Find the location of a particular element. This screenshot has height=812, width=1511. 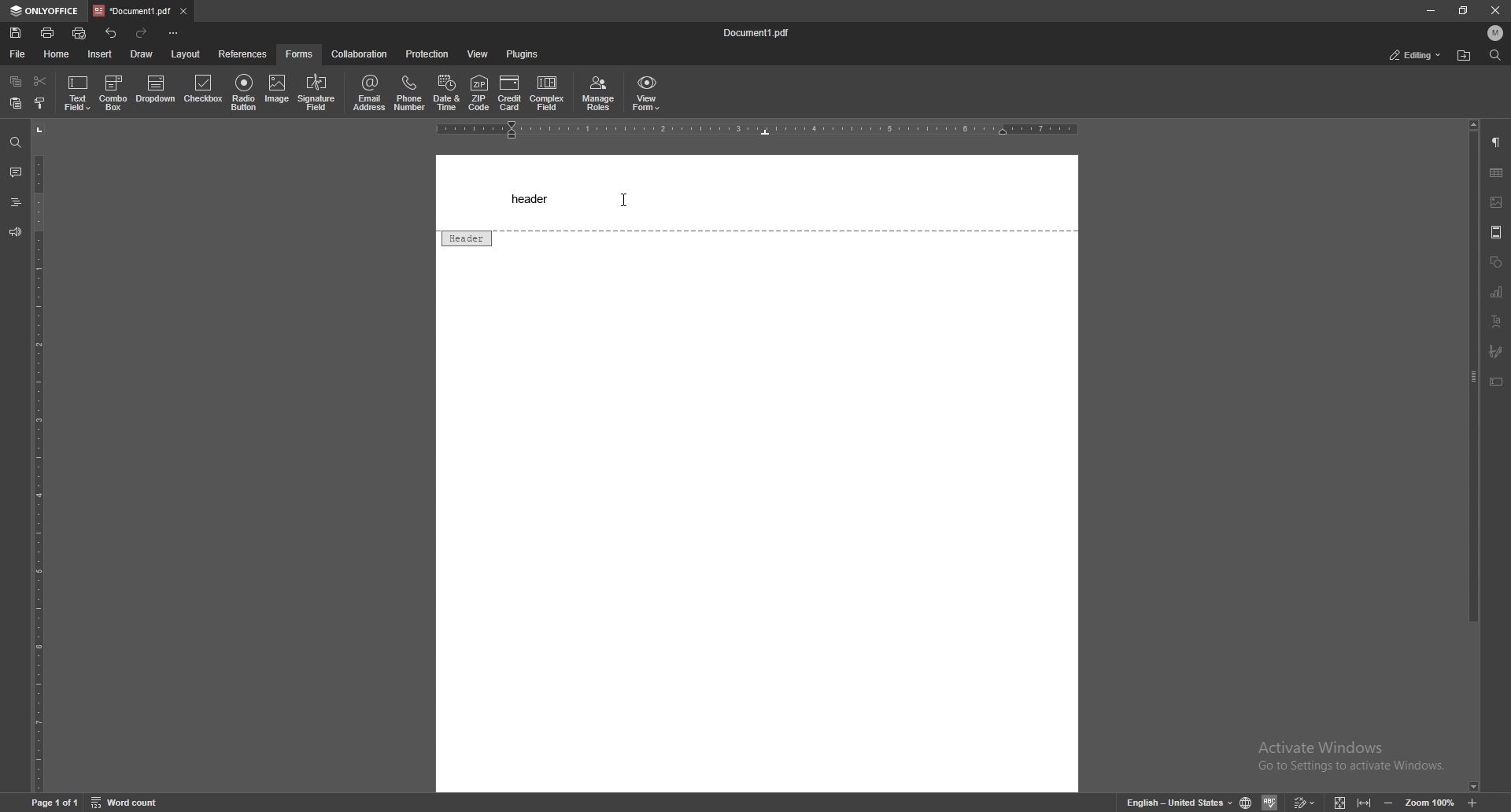

configure toolbar is located at coordinates (174, 32).